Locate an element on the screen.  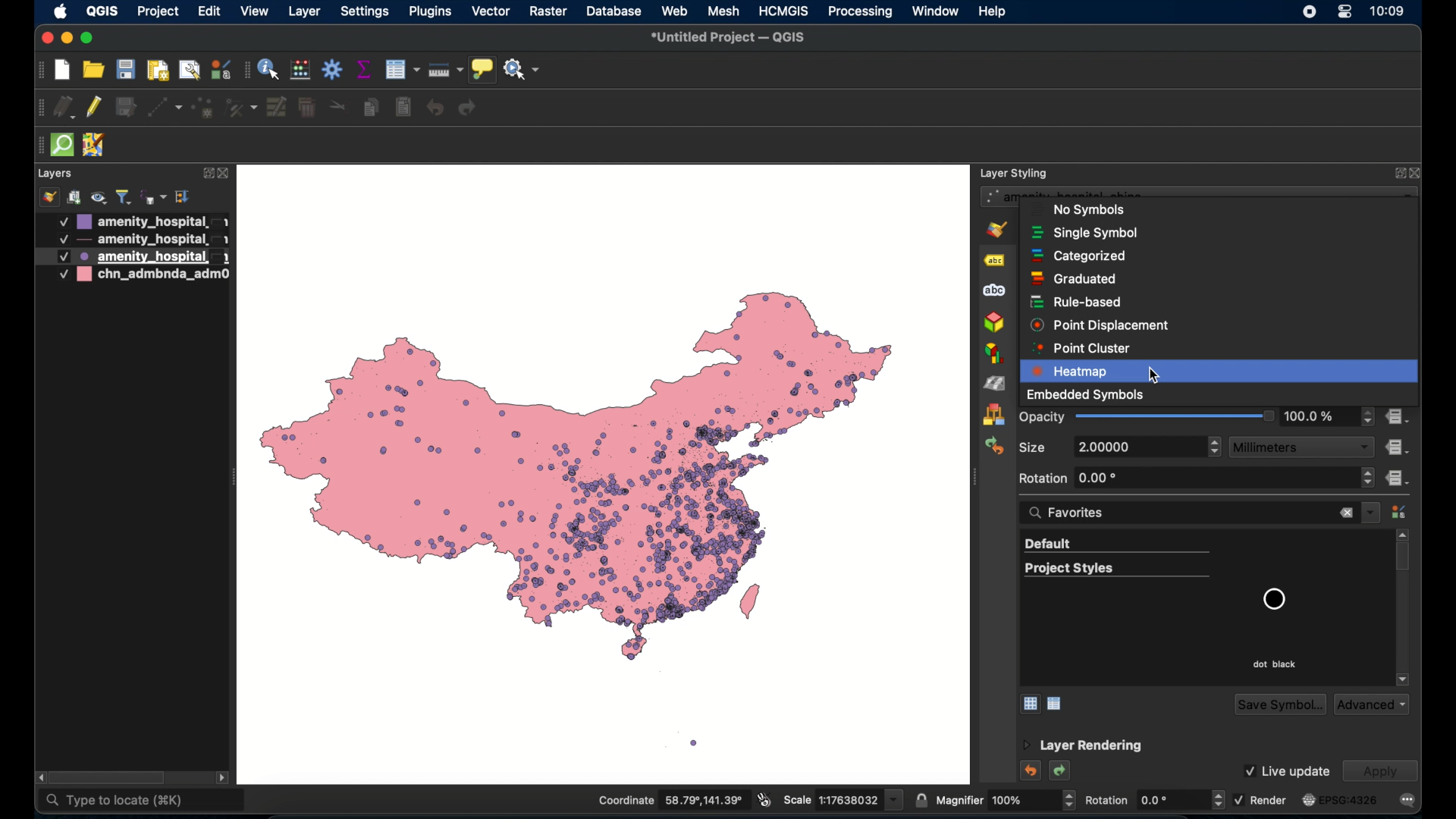
layer 3 is located at coordinates (130, 256).